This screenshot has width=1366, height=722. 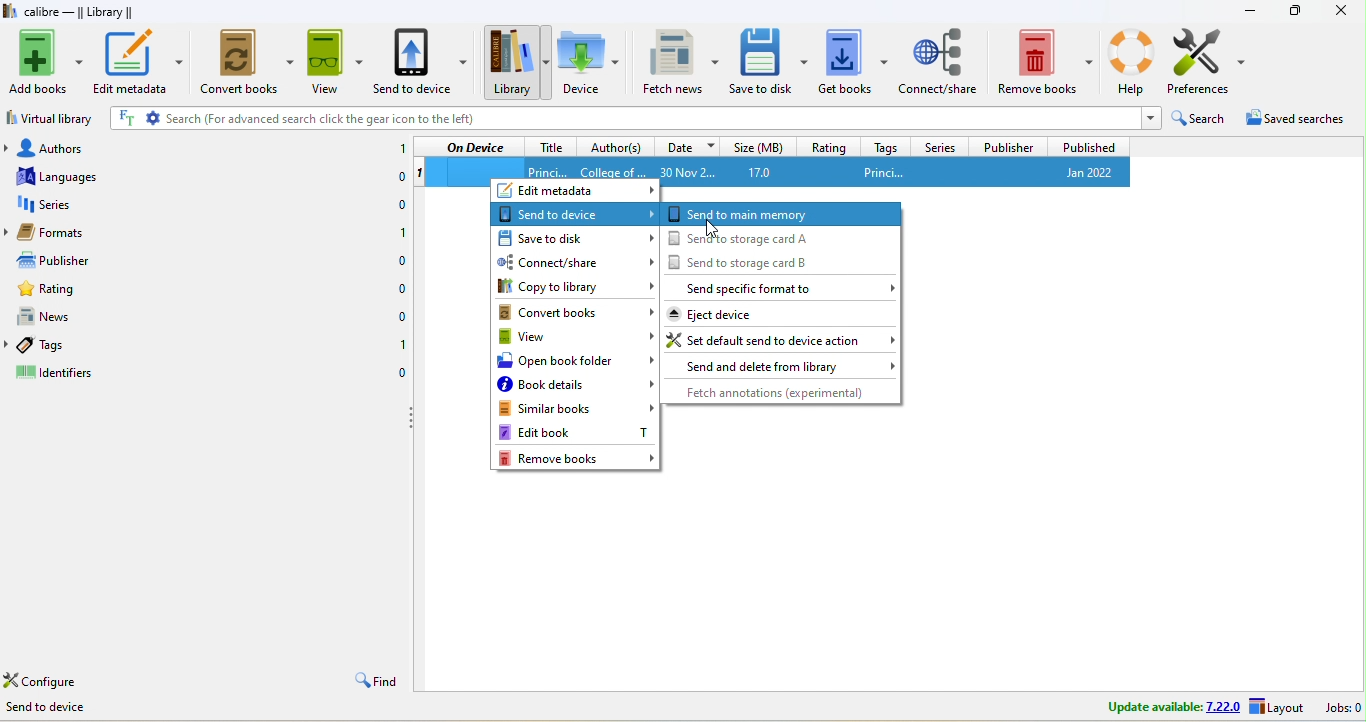 What do you see at coordinates (399, 317) in the screenshot?
I see `0` at bounding box center [399, 317].